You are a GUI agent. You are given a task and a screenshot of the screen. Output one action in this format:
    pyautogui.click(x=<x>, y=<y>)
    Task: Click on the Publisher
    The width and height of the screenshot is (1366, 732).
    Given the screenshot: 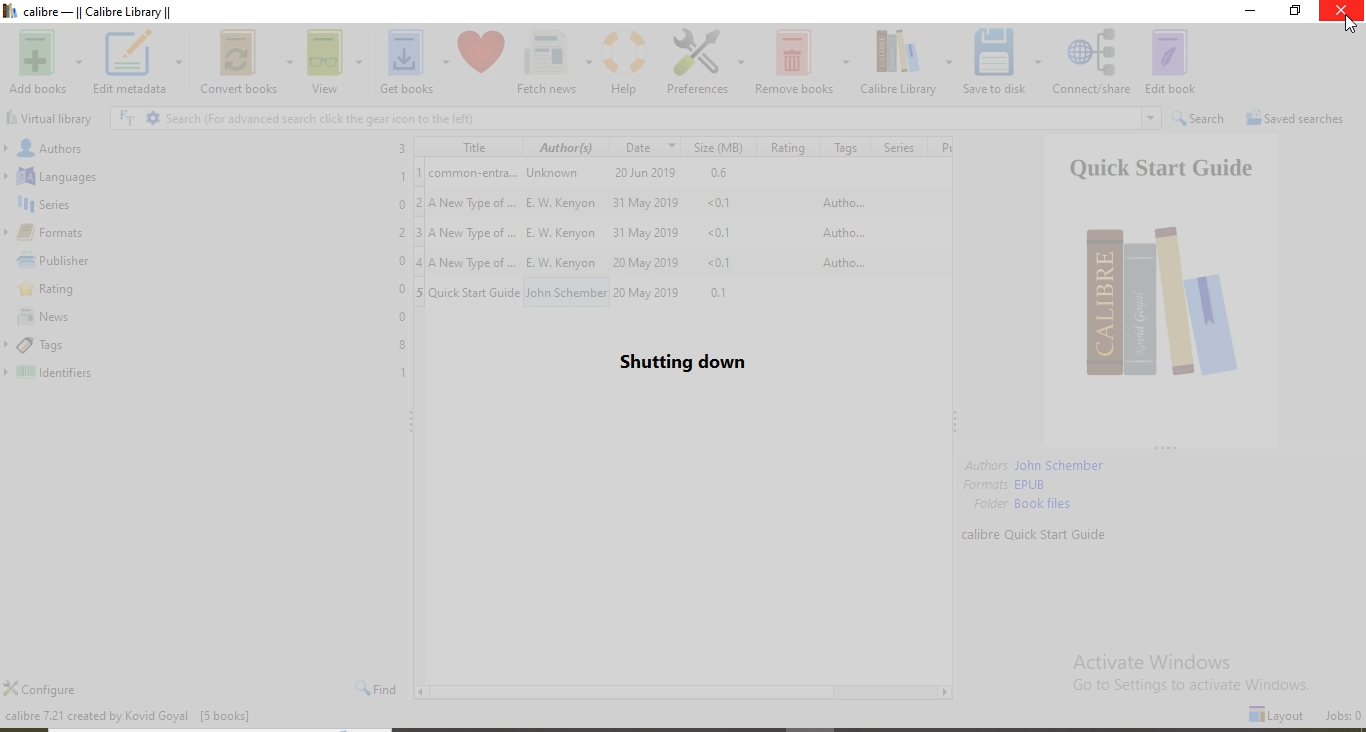 What is the action you would take?
    pyautogui.click(x=204, y=261)
    